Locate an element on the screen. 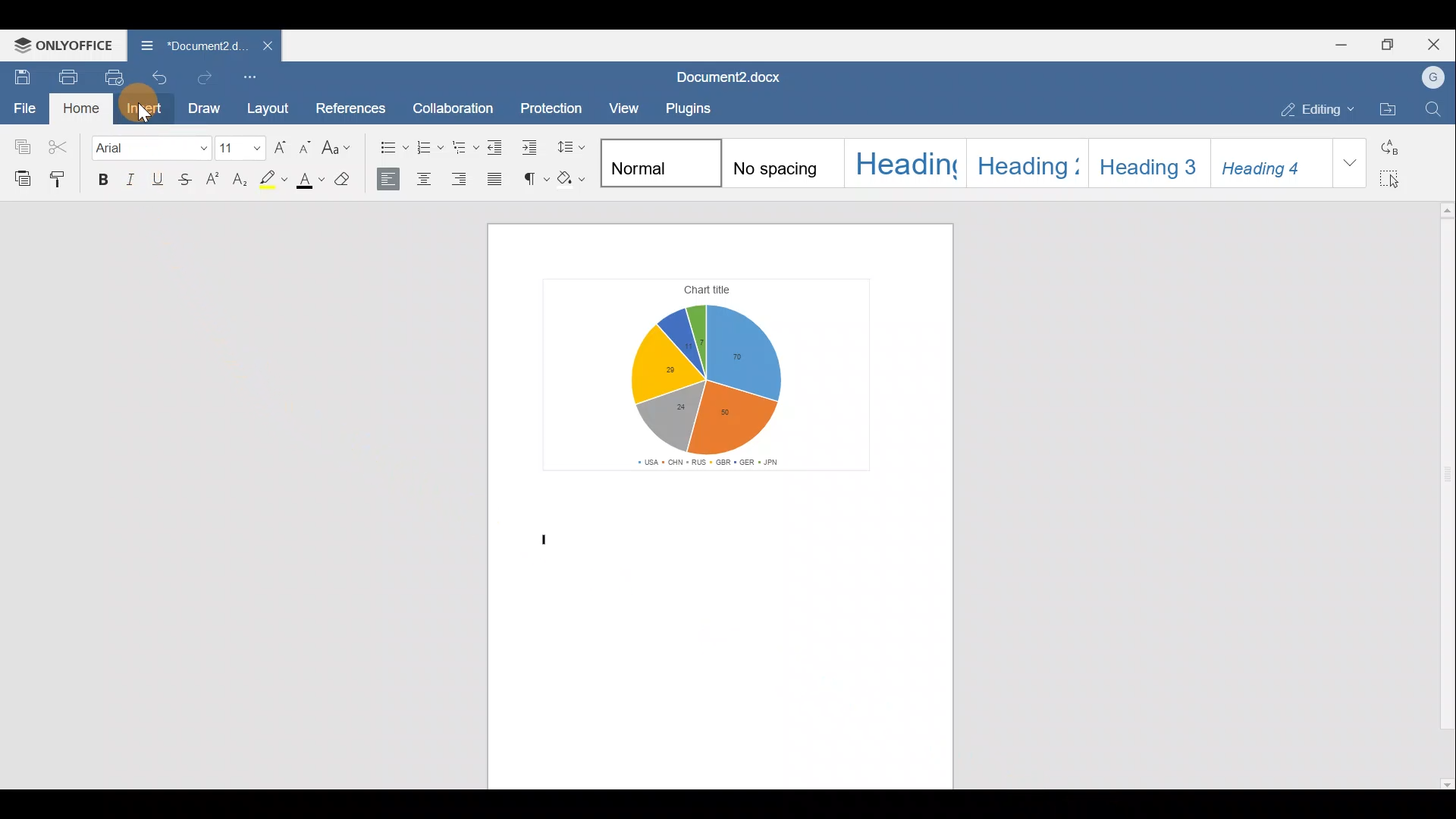 The width and height of the screenshot is (1456, 819). Plugins is located at coordinates (687, 107).